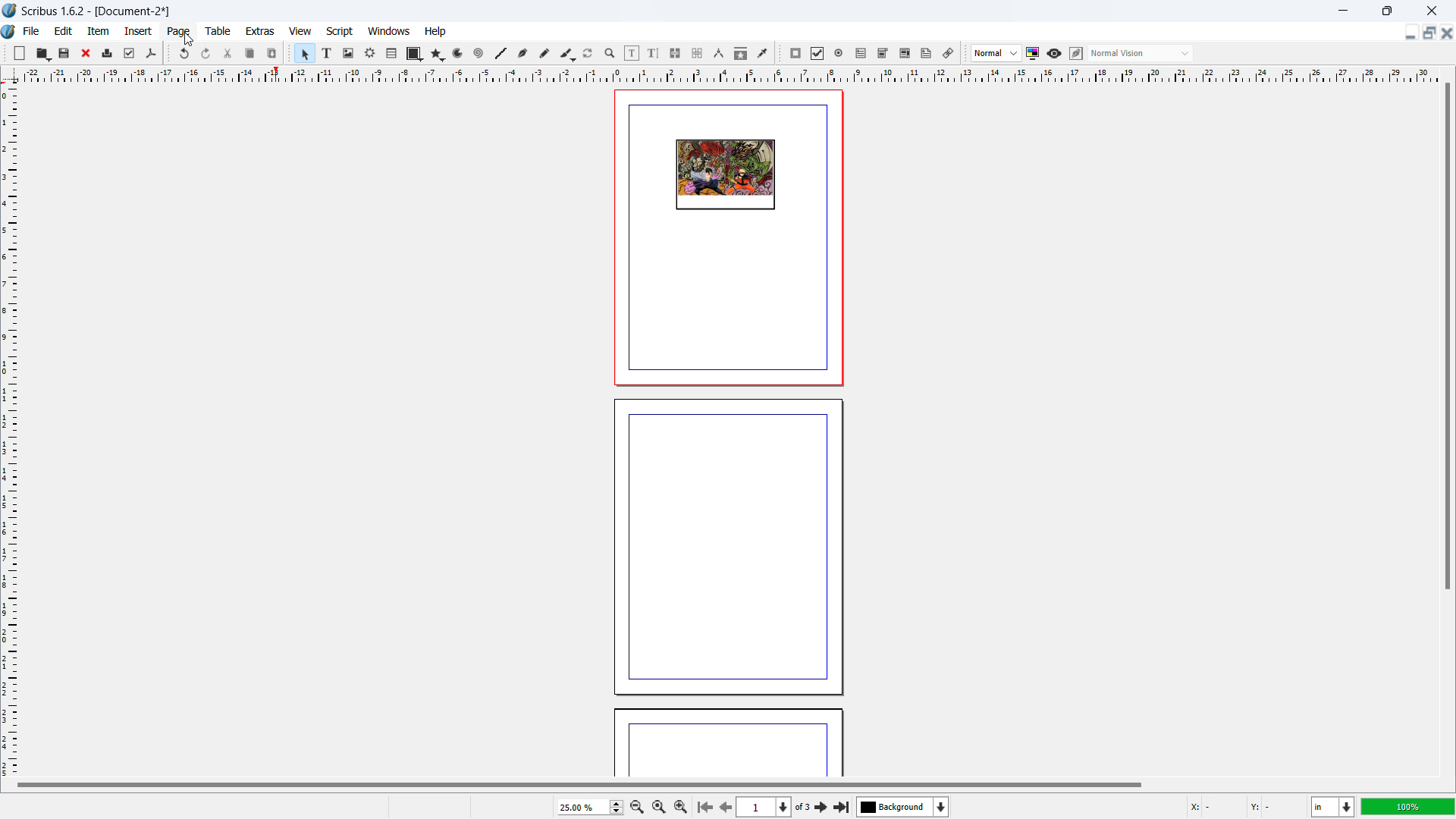 The image size is (1456, 819). What do you see at coordinates (704, 805) in the screenshot?
I see `first page` at bounding box center [704, 805].